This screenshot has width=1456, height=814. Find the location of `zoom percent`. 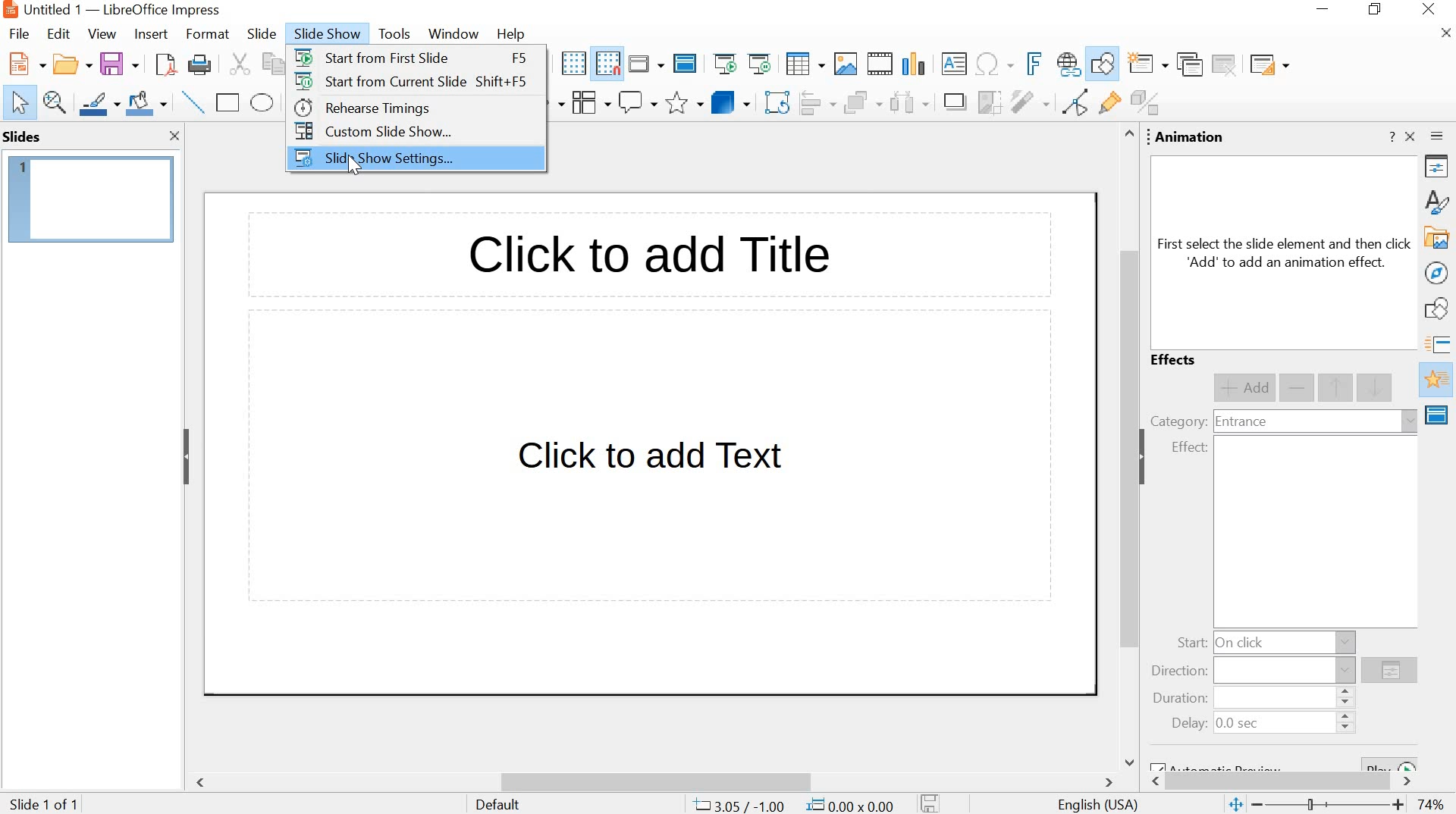

zoom percent is located at coordinates (1430, 805).